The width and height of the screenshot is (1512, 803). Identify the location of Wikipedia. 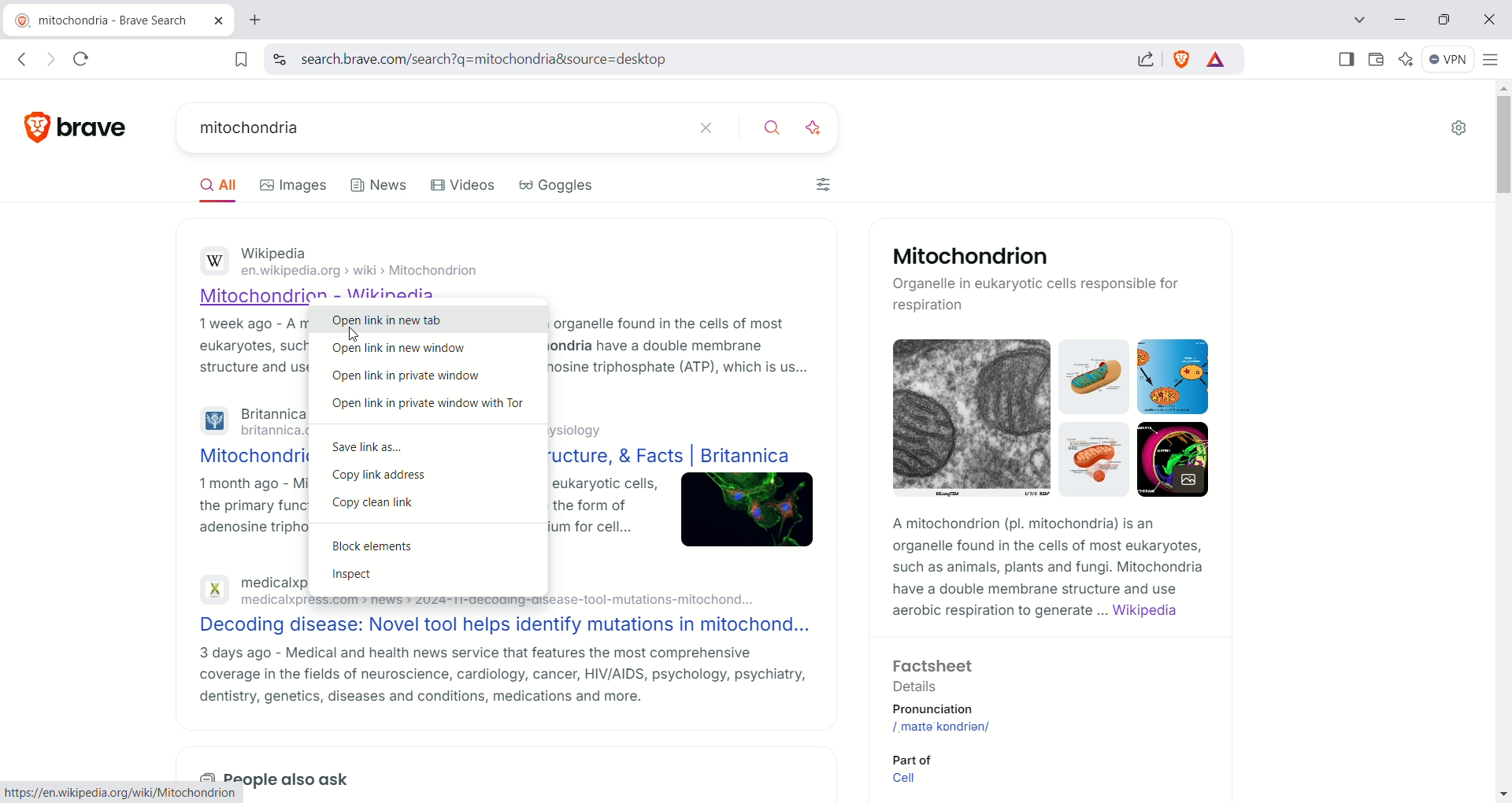
(1147, 611).